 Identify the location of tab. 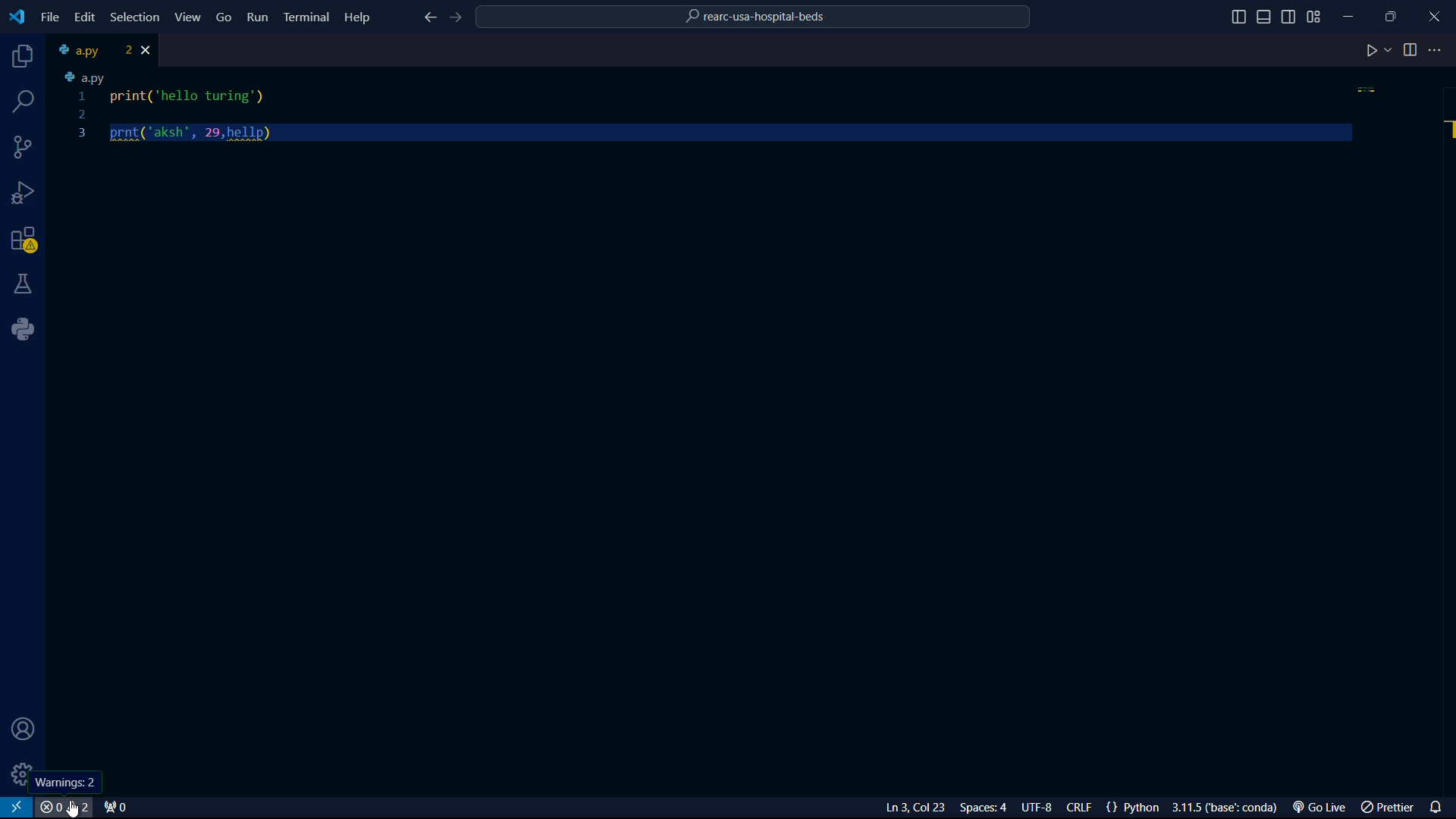
(92, 50).